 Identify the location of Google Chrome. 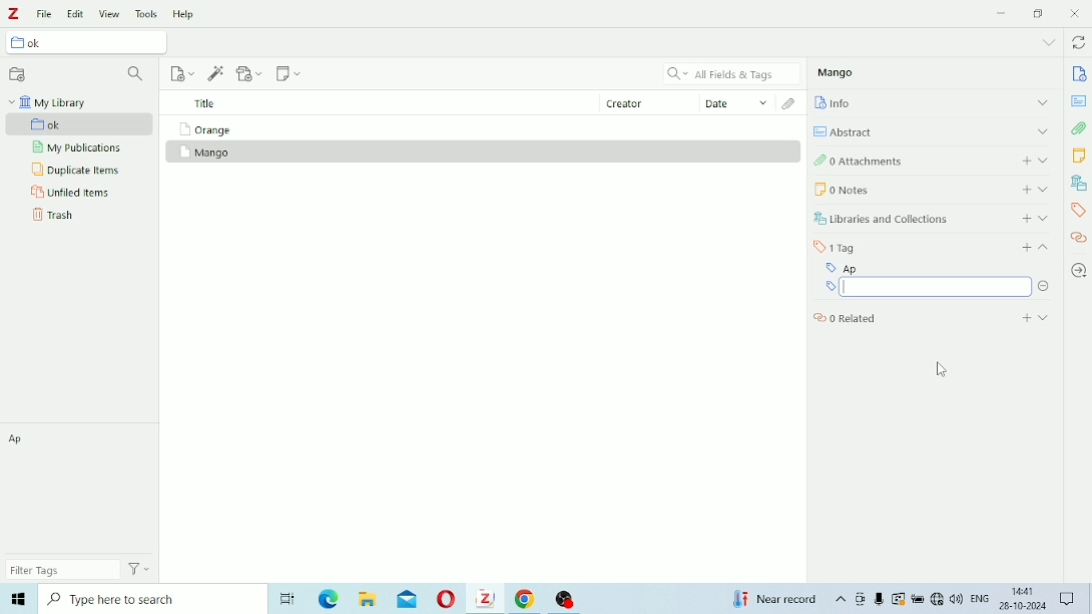
(526, 598).